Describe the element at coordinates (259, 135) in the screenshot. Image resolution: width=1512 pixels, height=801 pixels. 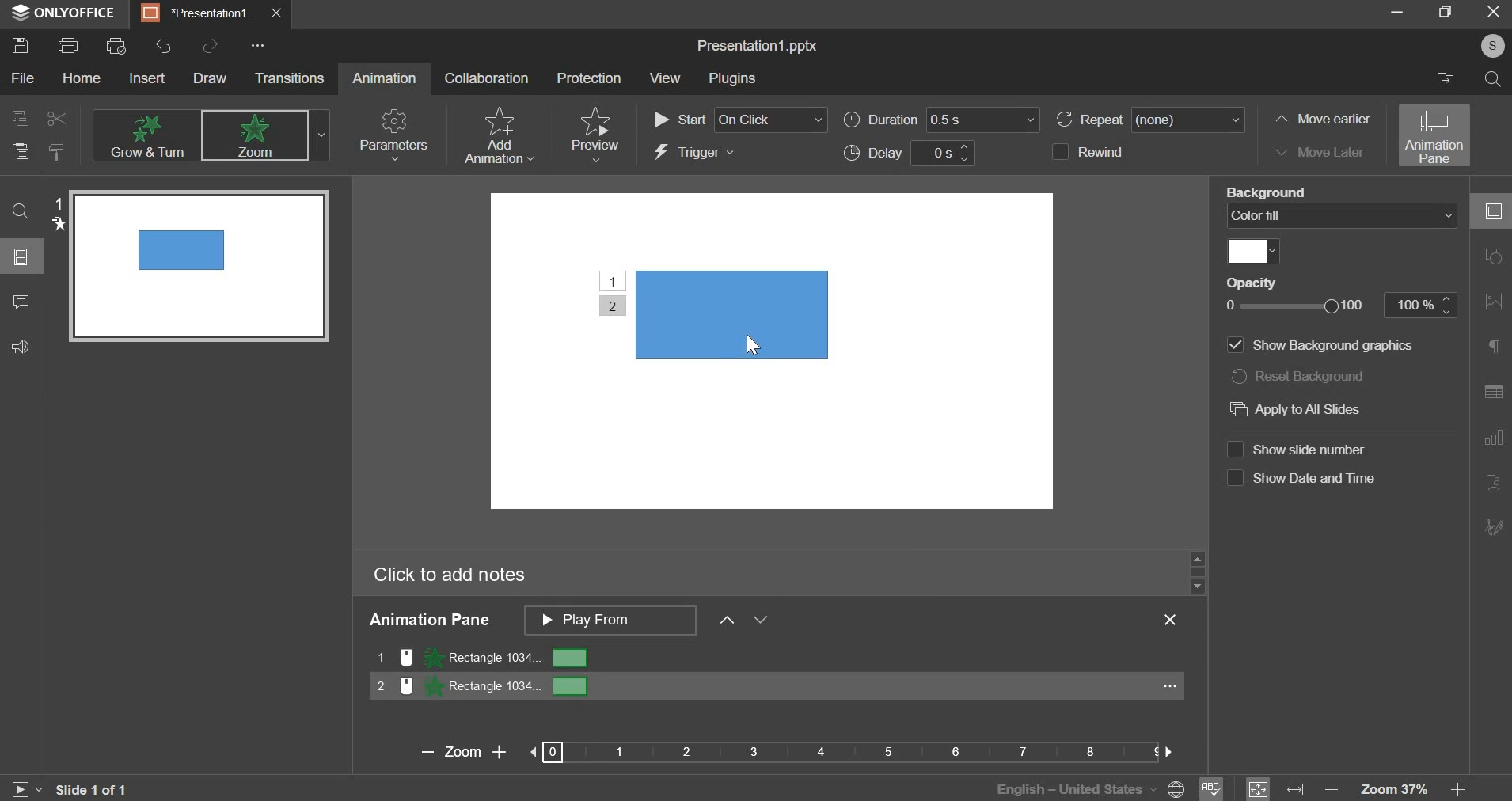
I see `appear` at that location.